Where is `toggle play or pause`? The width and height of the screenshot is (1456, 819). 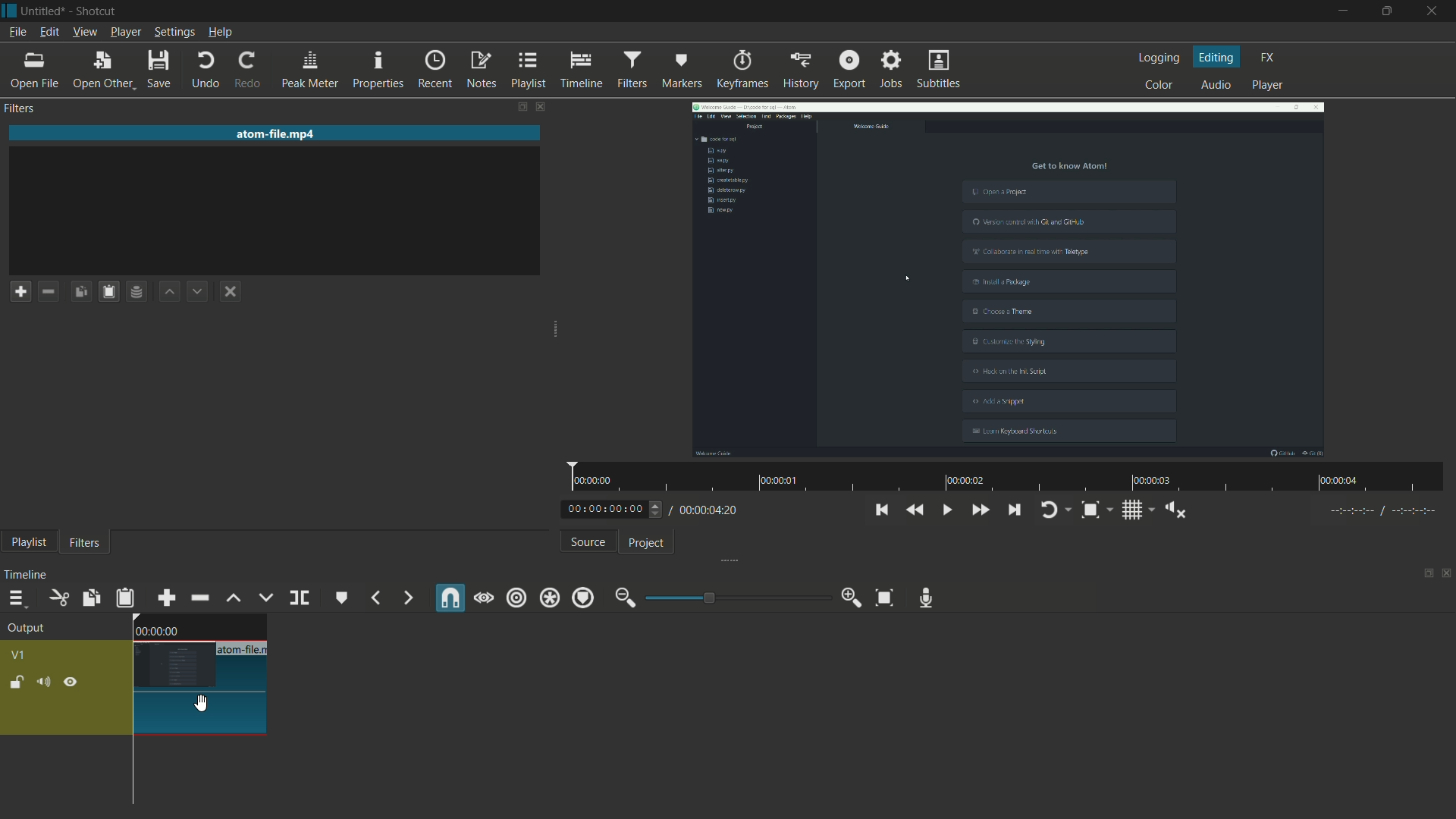
toggle play or pause is located at coordinates (945, 509).